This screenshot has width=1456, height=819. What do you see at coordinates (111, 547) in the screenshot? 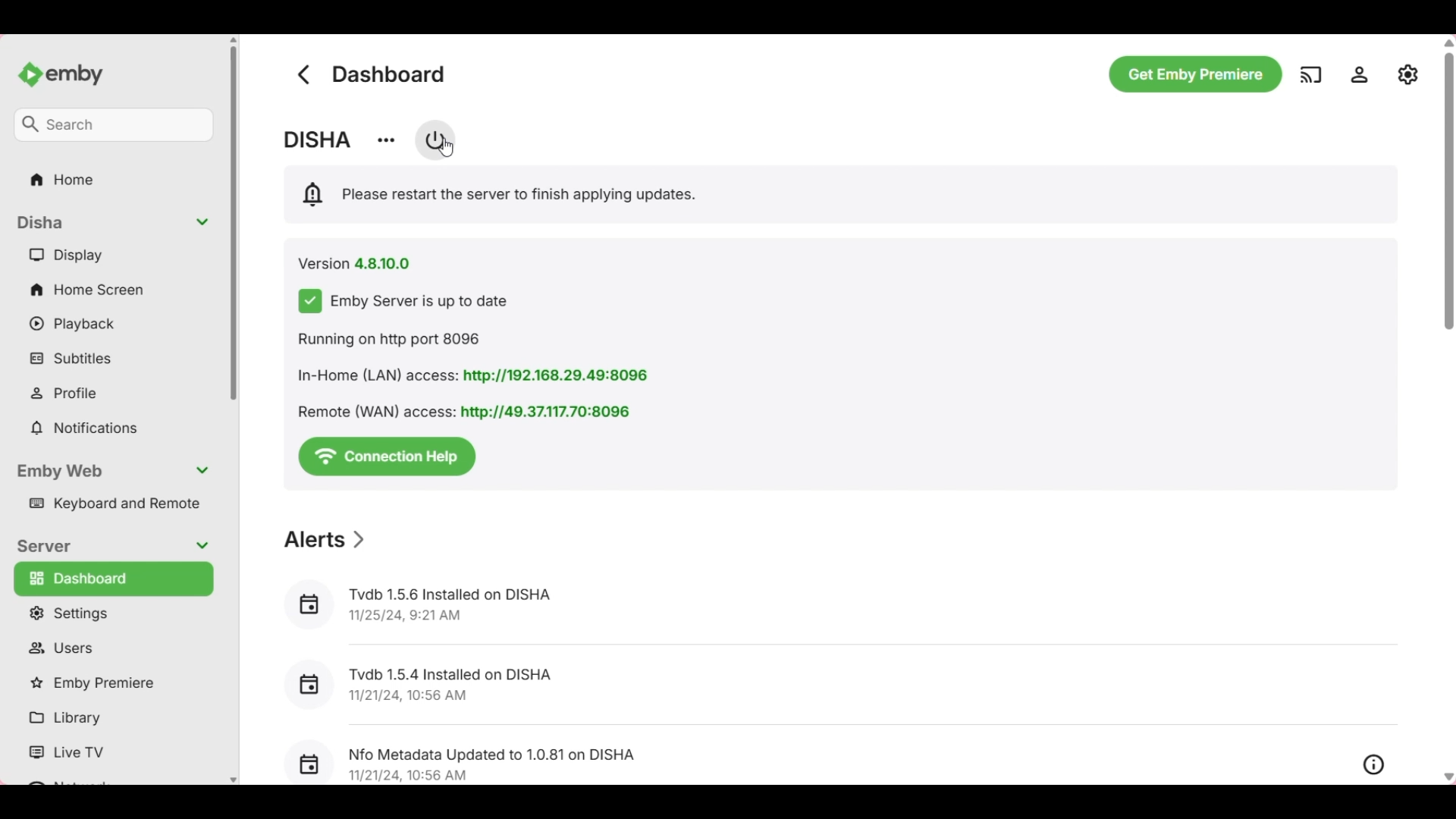
I see `Collapse server` at bounding box center [111, 547].